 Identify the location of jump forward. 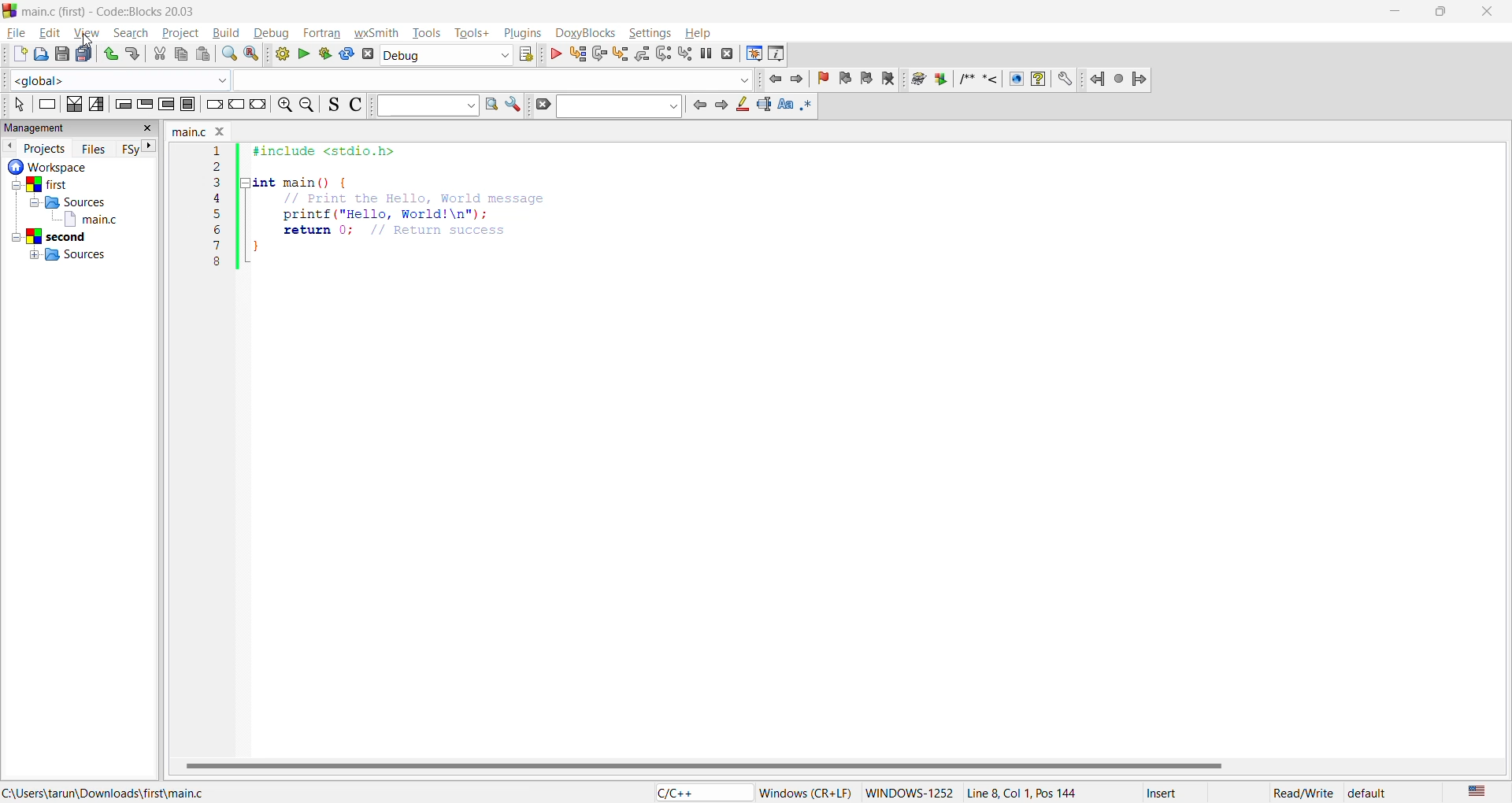
(798, 79).